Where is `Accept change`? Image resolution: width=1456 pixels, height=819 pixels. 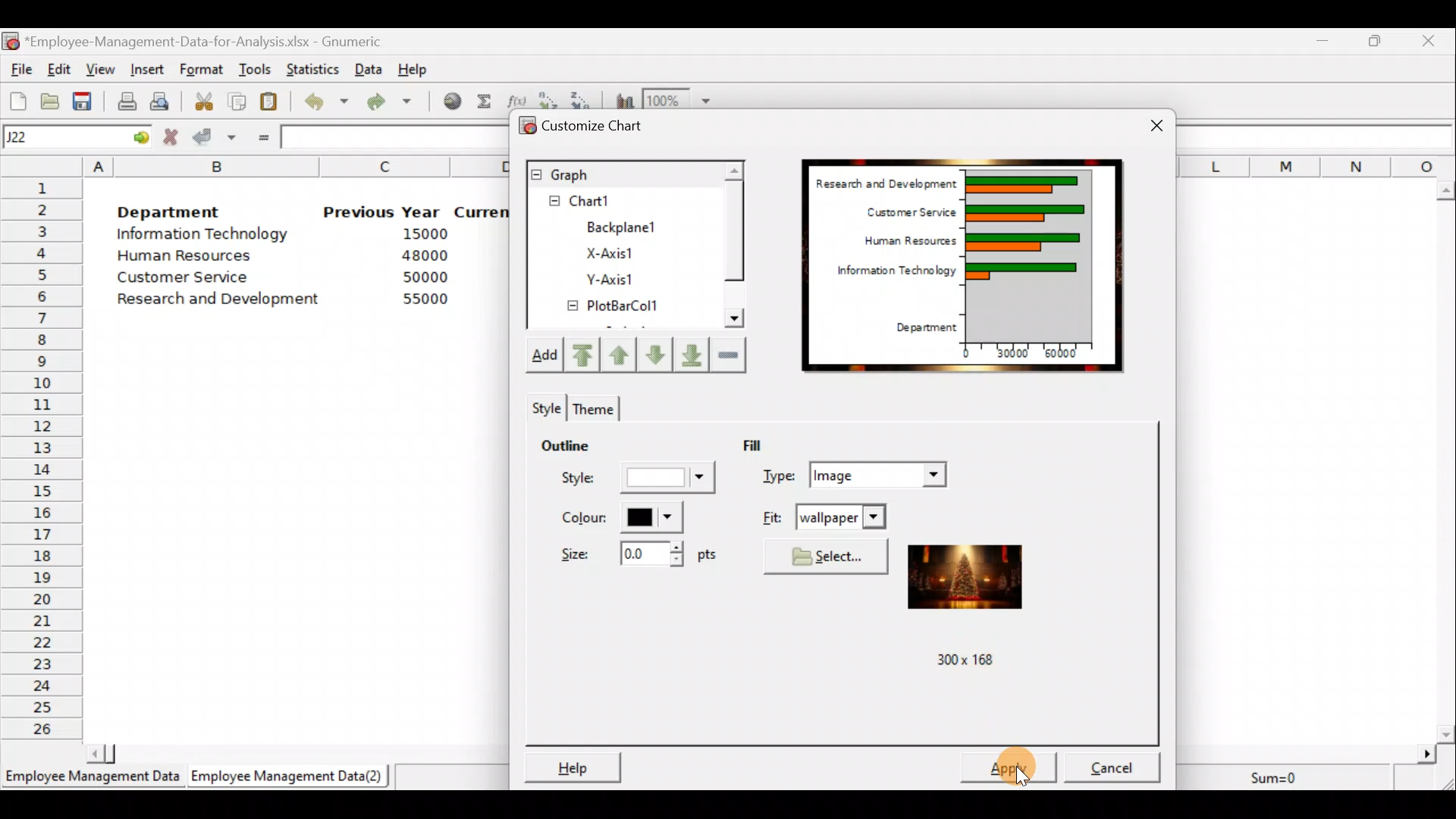
Accept change is located at coordinates (214, 139).